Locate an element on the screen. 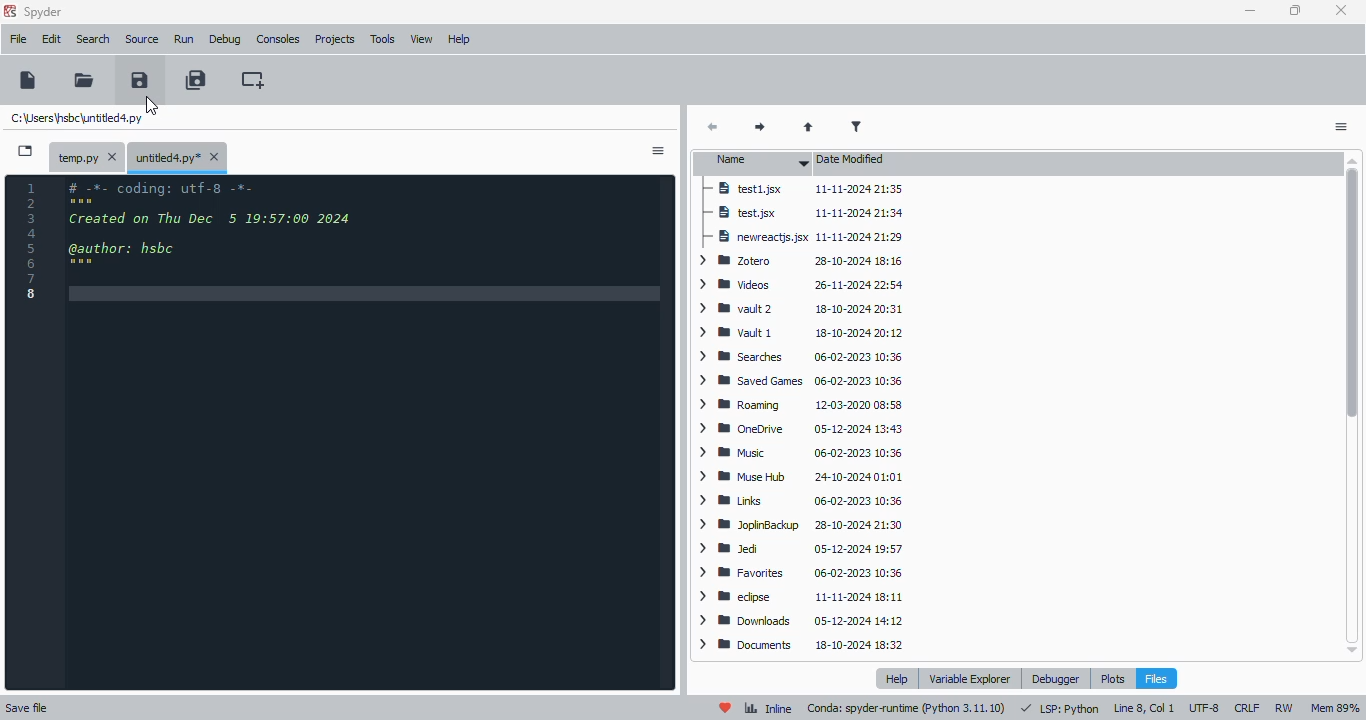 The height and width of the screenshot is (720, 1366). save file is located at coordinates (139, 79).